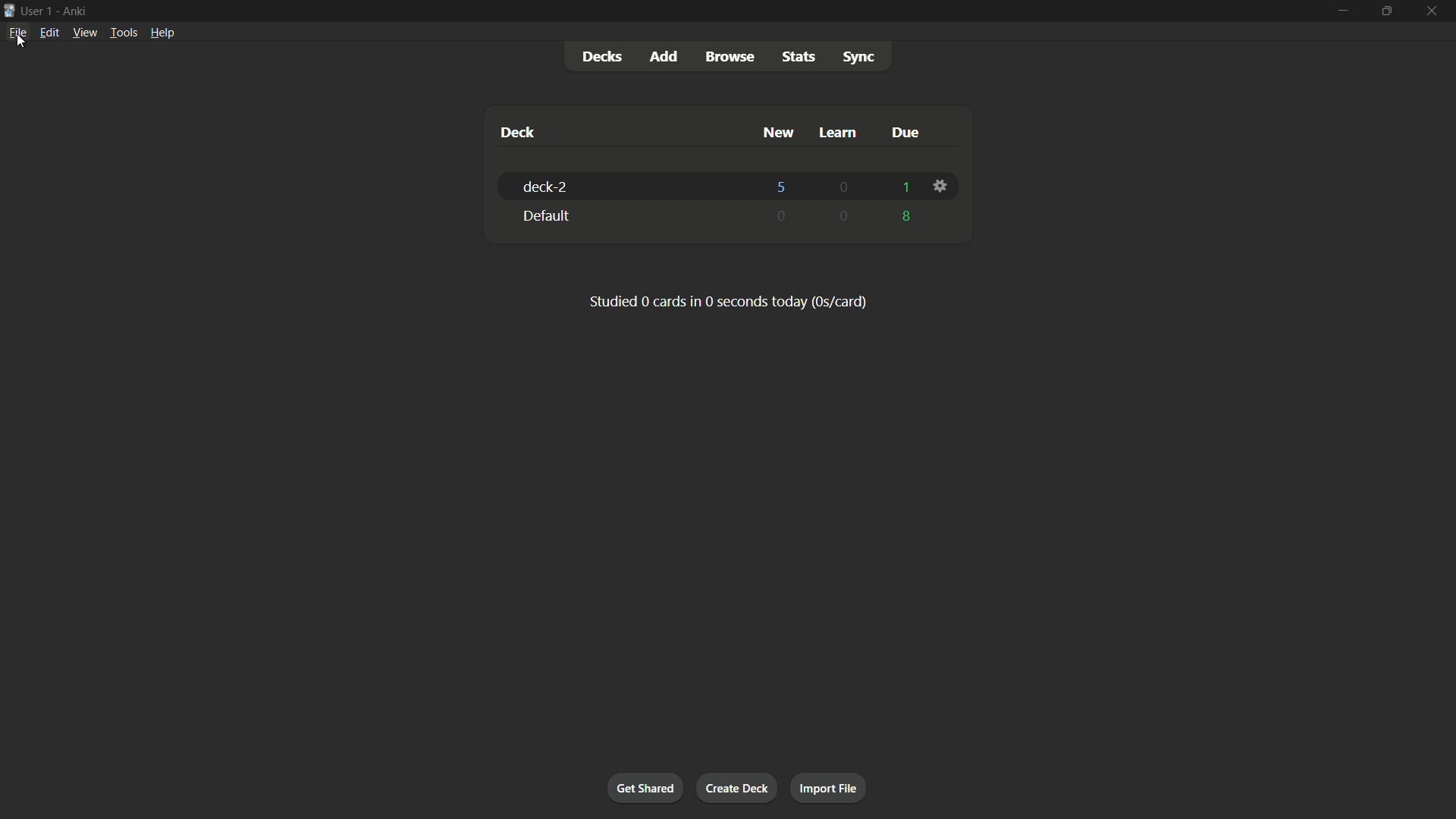 The width and height of the screenshot is (1456, 819). Describe the element at coordinates (83, 32) in the screenshot. I see `View` at that location.